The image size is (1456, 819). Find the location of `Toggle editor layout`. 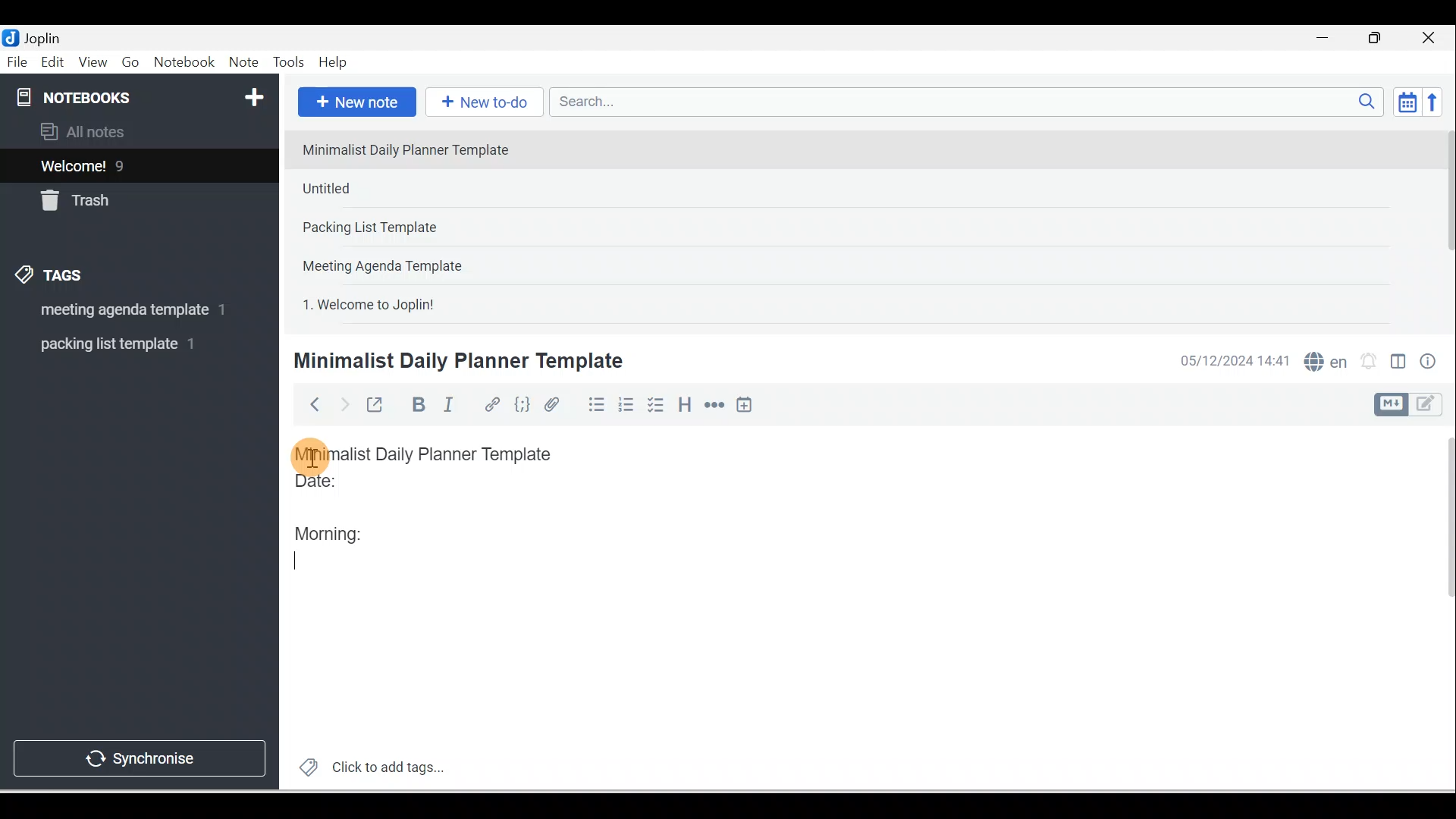

Toggle editor layout is located at coordinates (1414, 405).